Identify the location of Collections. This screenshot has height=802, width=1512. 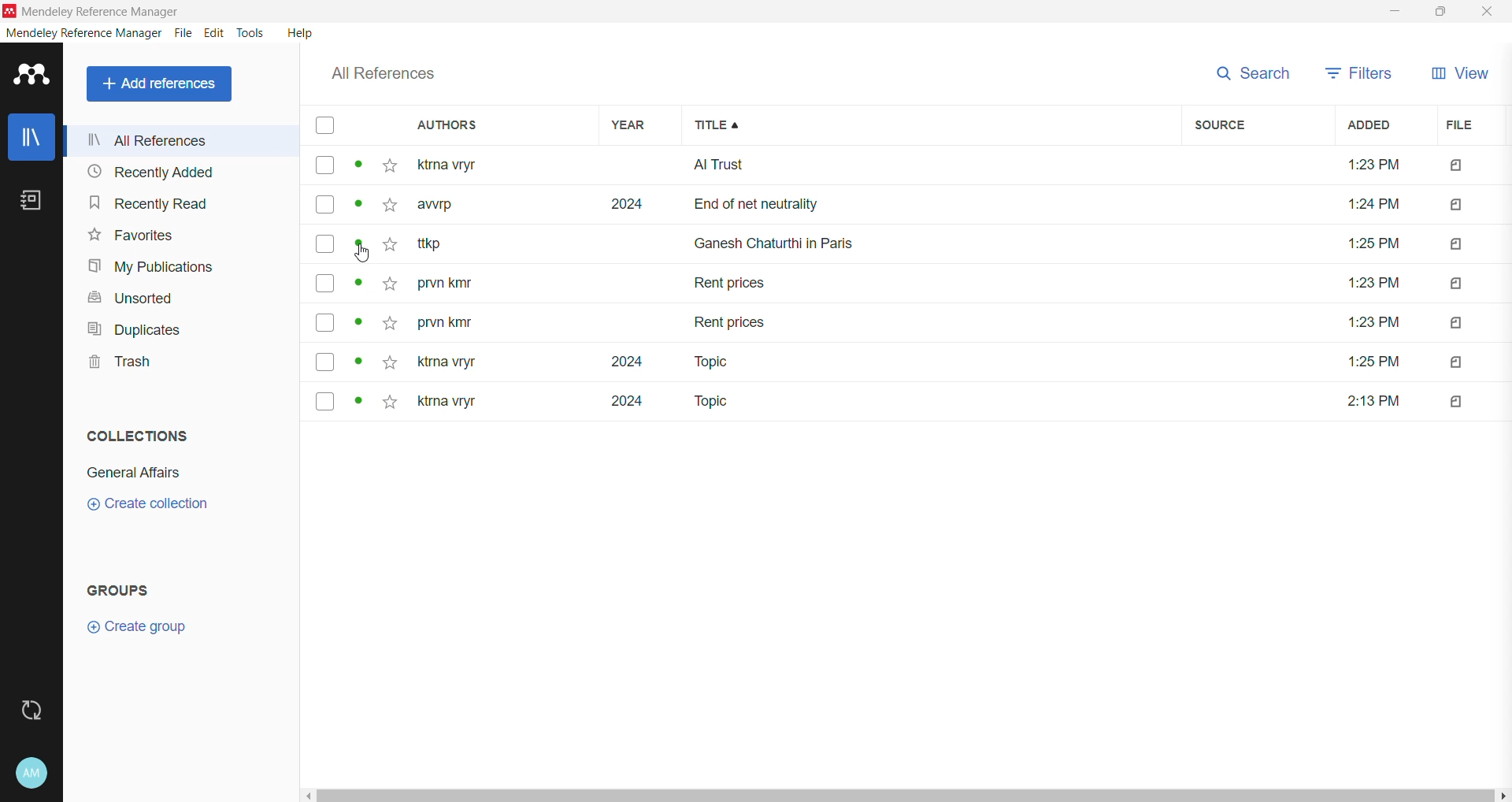
(135, 436).